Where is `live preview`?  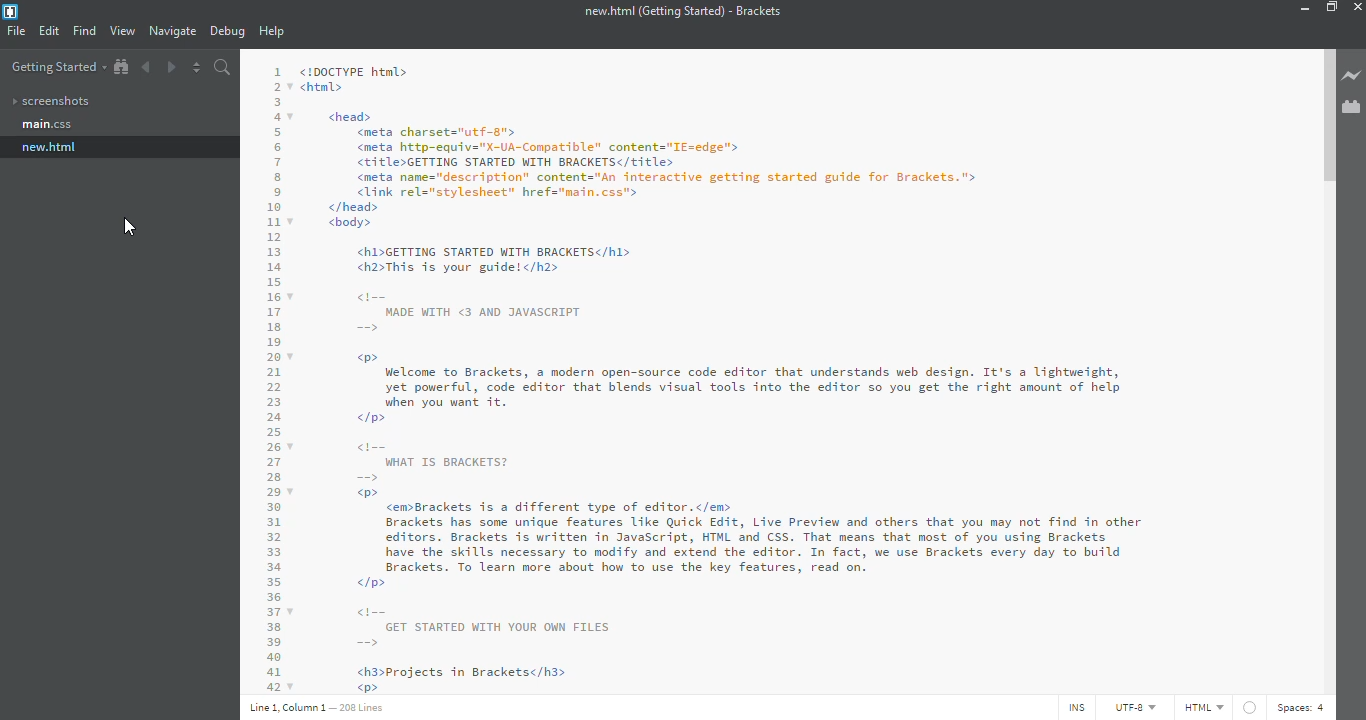 live preview is located at coordinates (1352, 77).